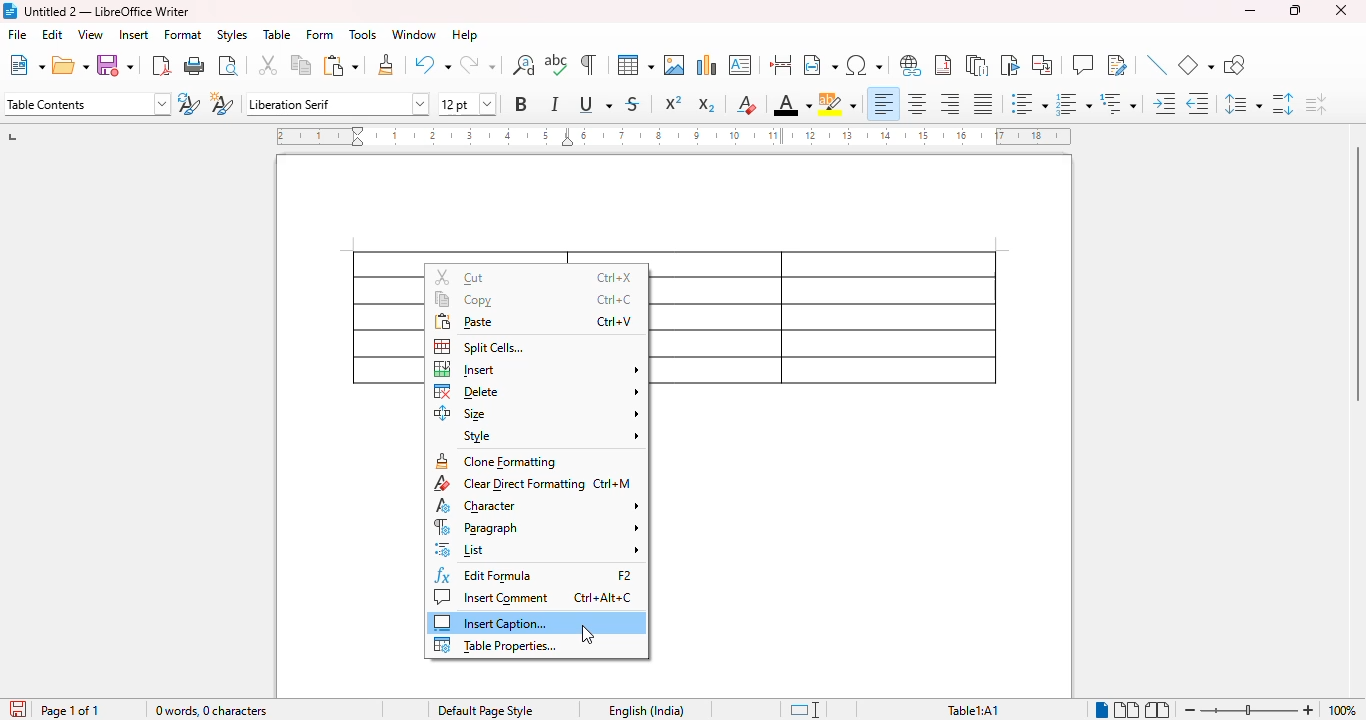 This screenshot has width=1366, height=720. I want to click on close, so click(1341, 10).